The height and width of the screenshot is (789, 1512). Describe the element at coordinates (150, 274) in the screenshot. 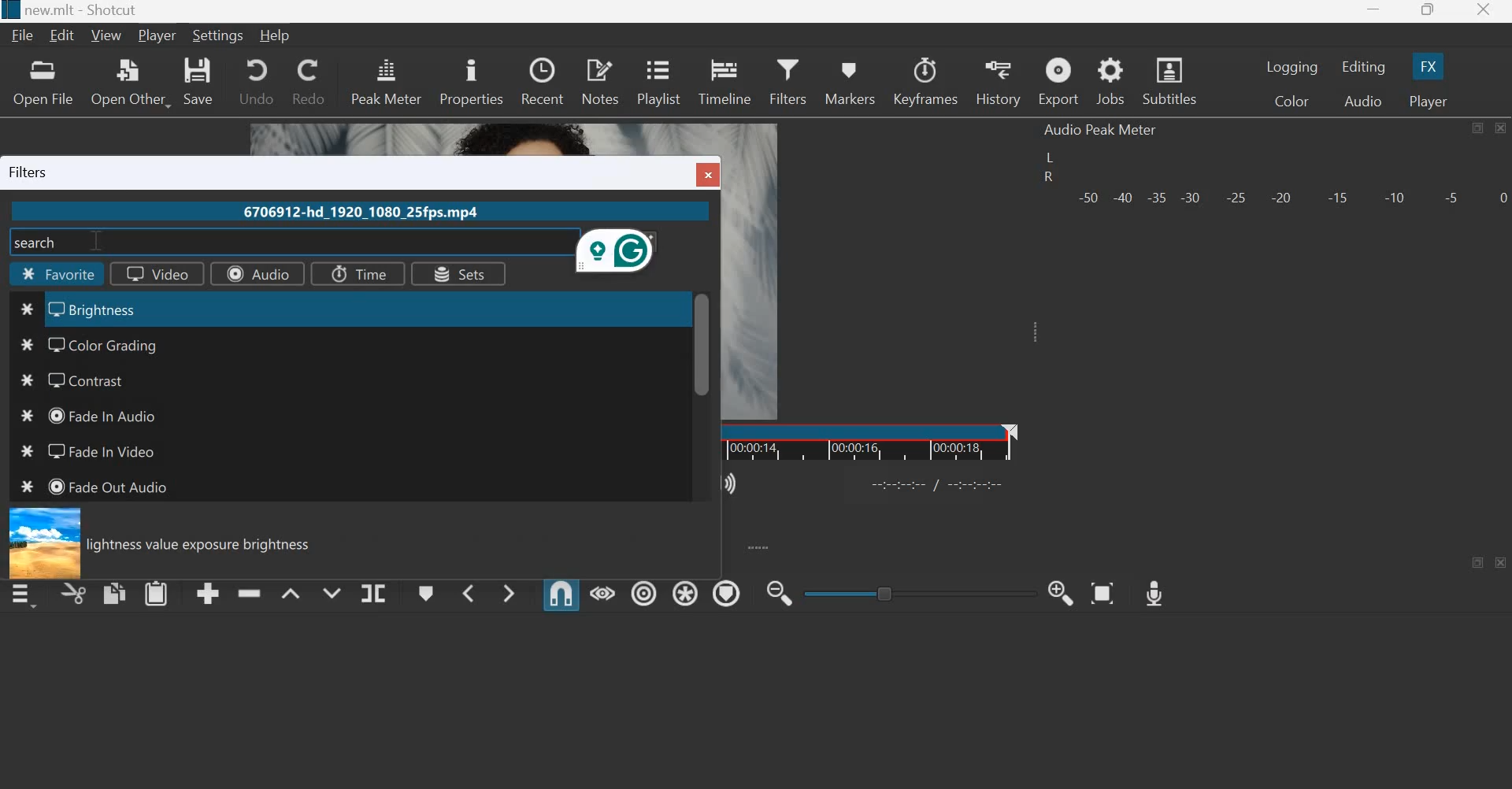

I see `Video` at that location.